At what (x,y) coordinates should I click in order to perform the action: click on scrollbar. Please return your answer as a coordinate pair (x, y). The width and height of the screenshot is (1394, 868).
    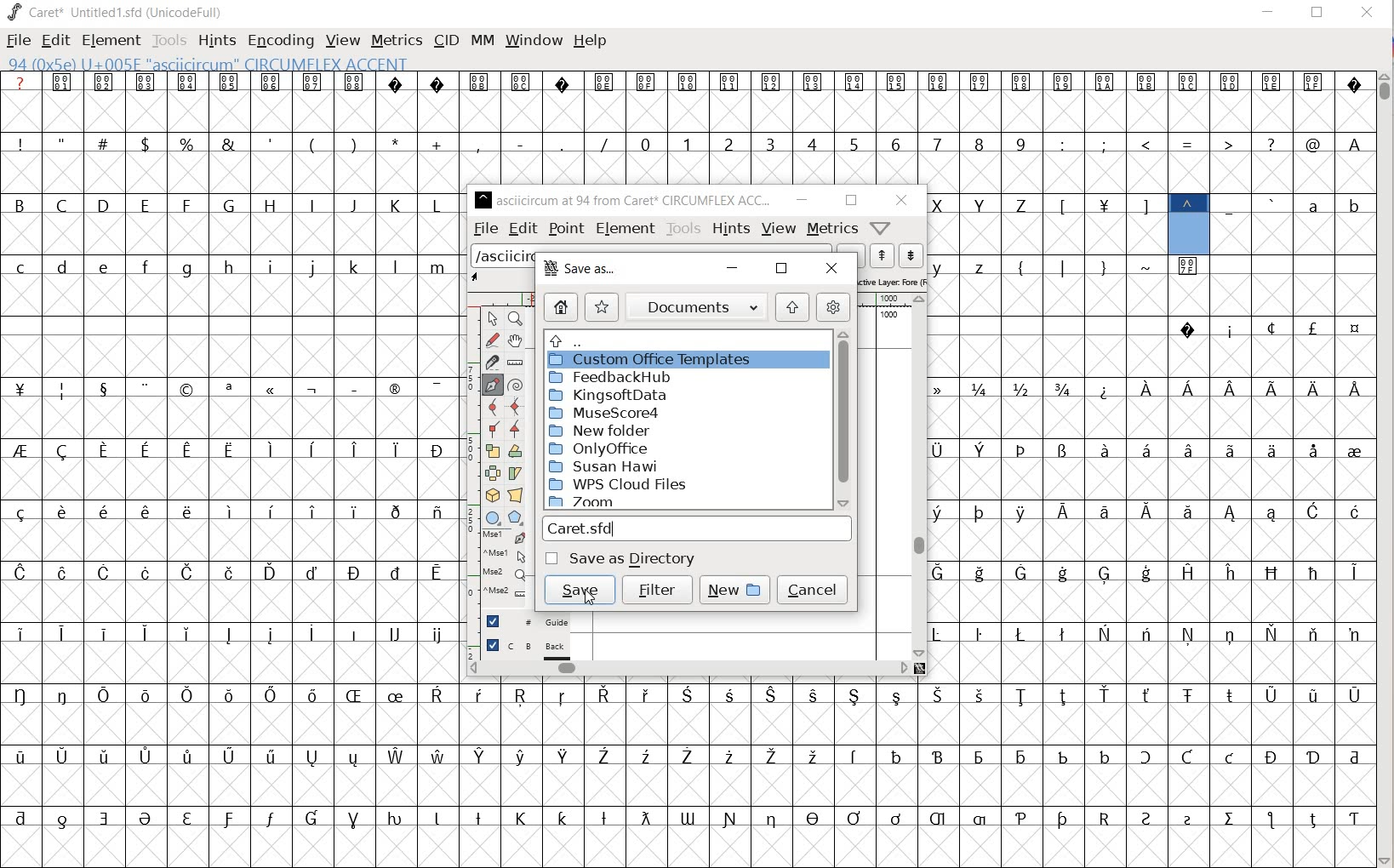
    Looking at the image, I should click on (844, 421).